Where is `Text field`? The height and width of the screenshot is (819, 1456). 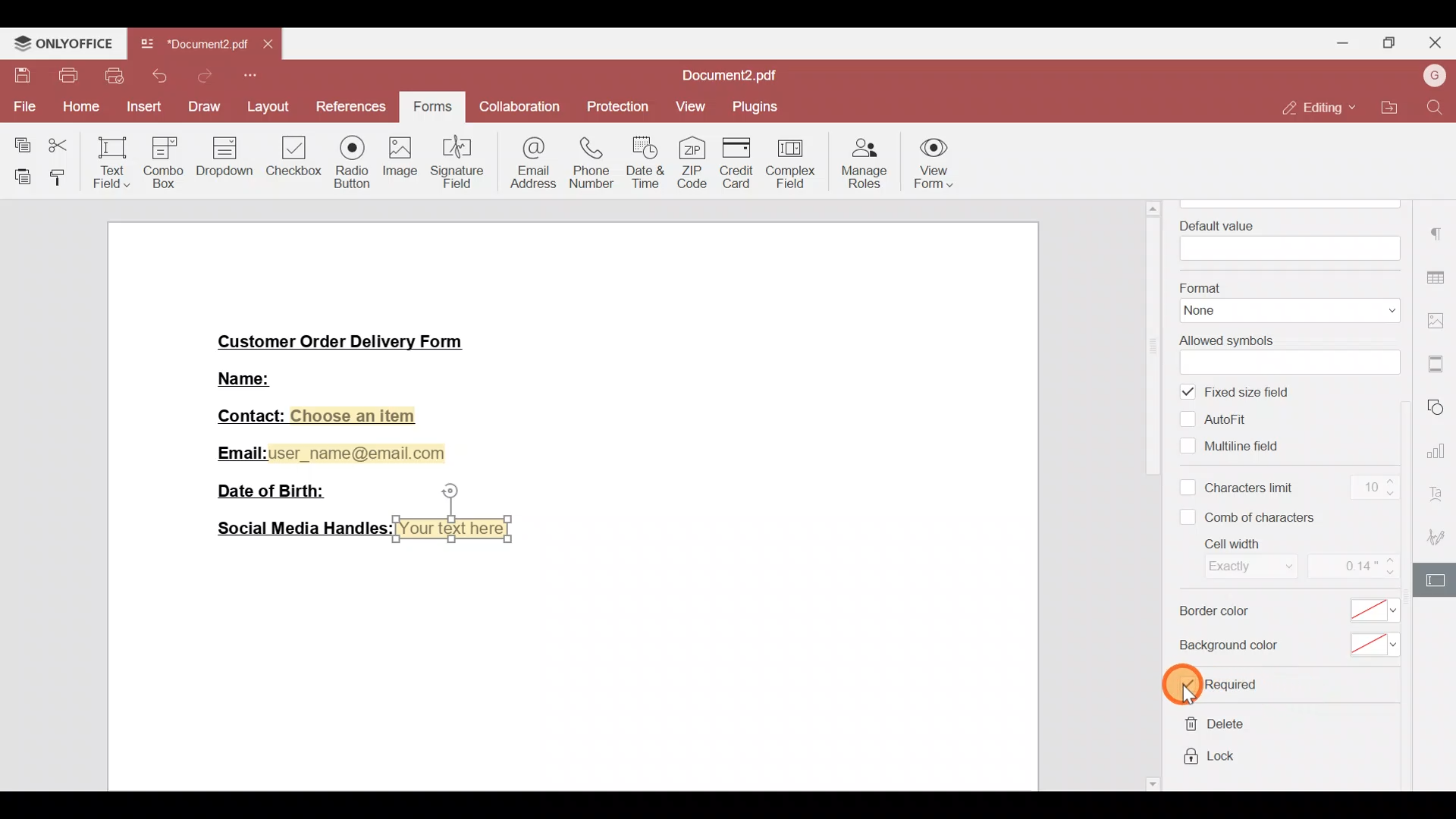 Text field is located at coordinates (107, 164).